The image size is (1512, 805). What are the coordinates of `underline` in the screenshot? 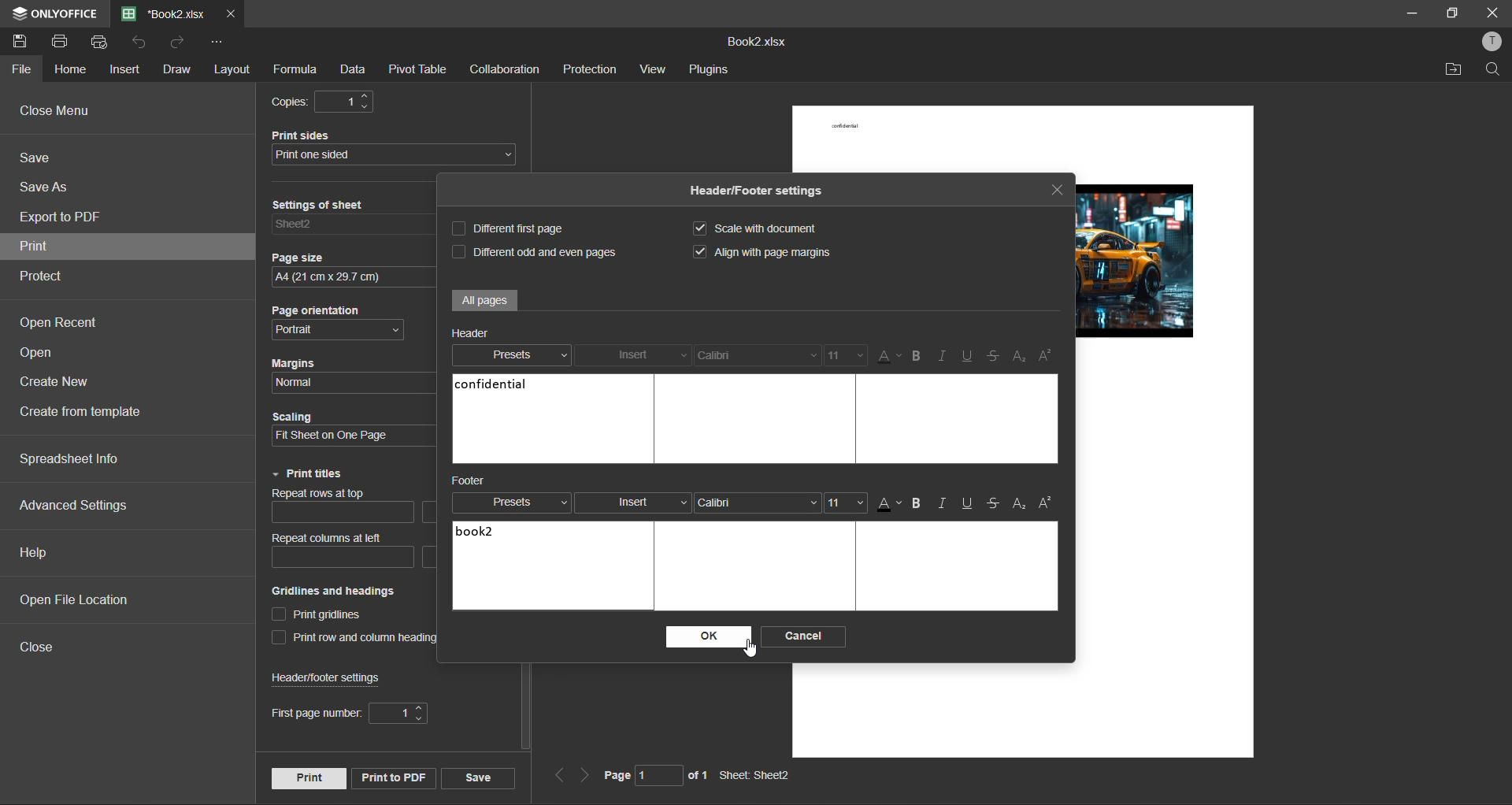 It's located at (970, 355).